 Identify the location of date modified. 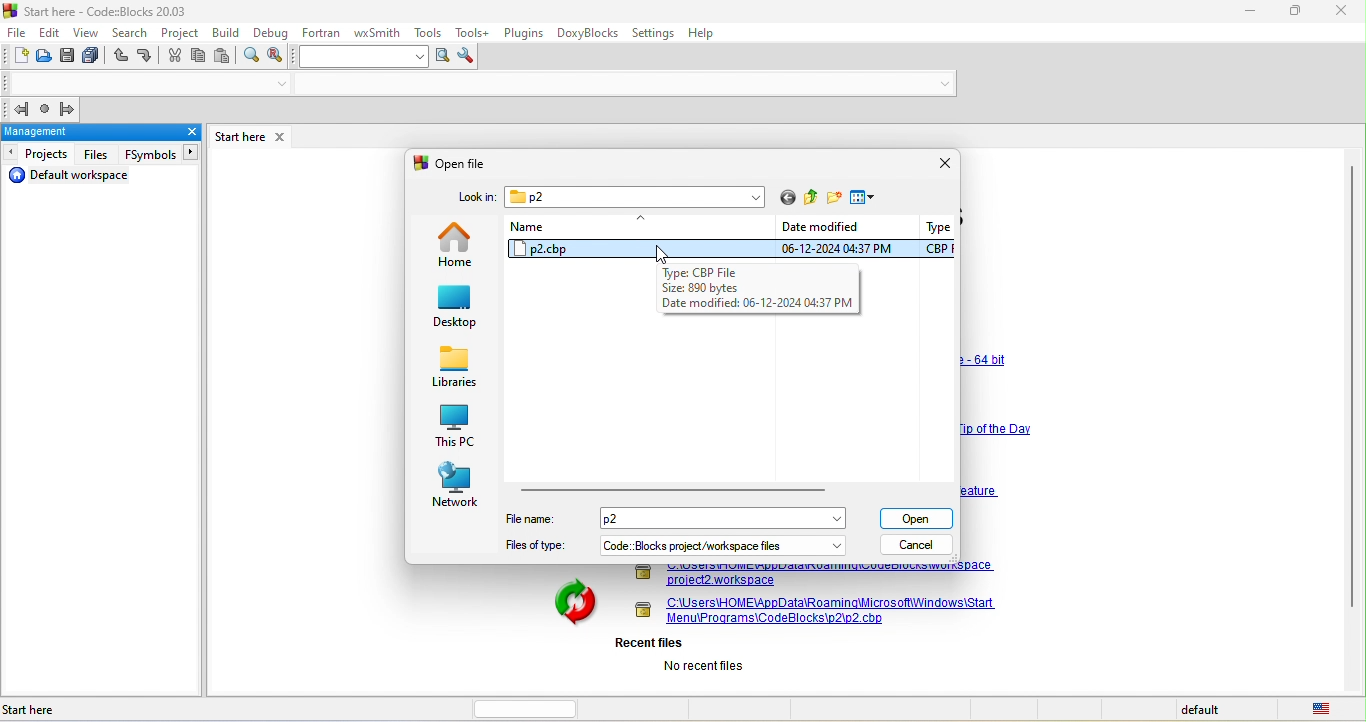
(840, 237).